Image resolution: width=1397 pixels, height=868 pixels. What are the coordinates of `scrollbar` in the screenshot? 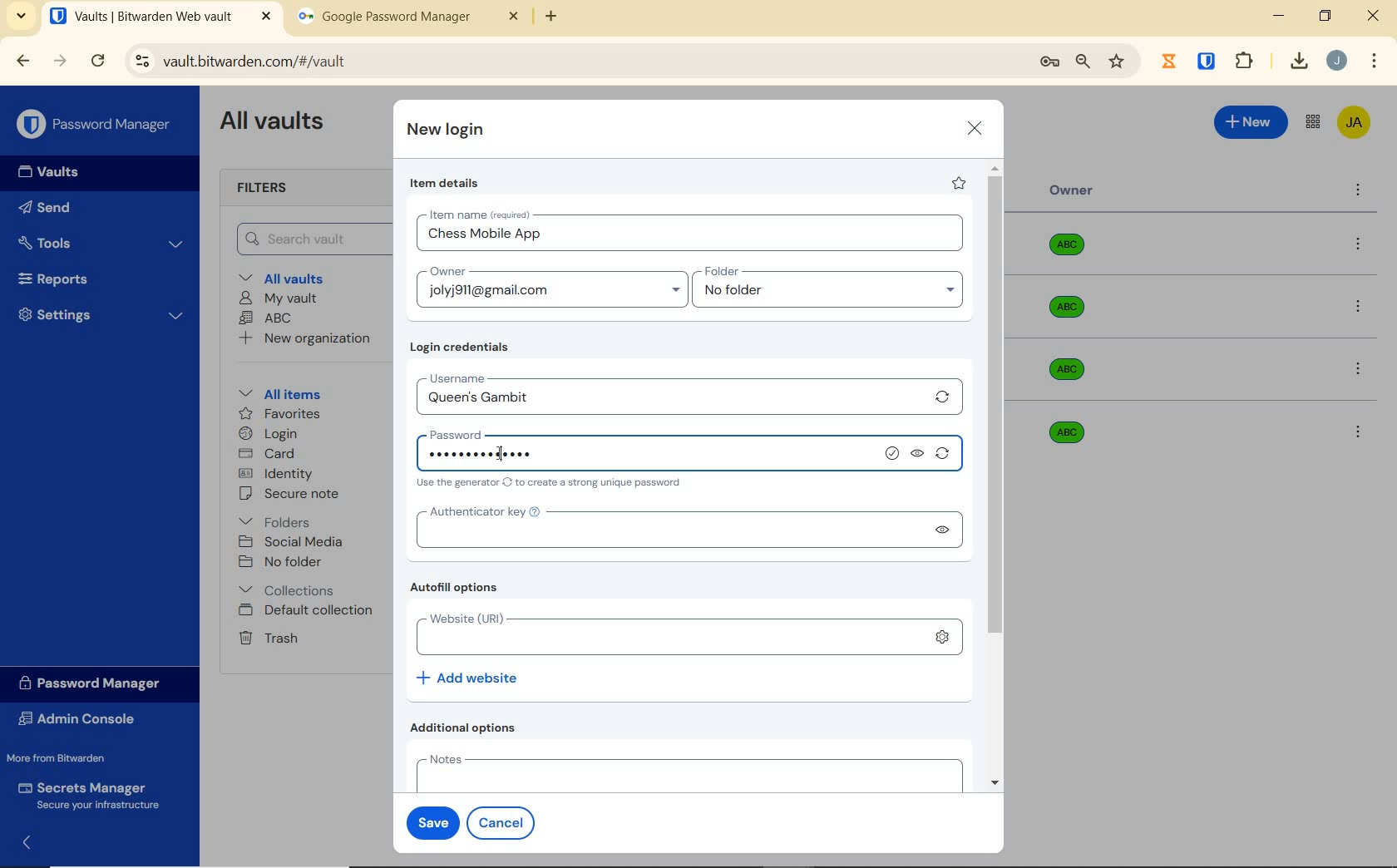 It's located at (997, 476).